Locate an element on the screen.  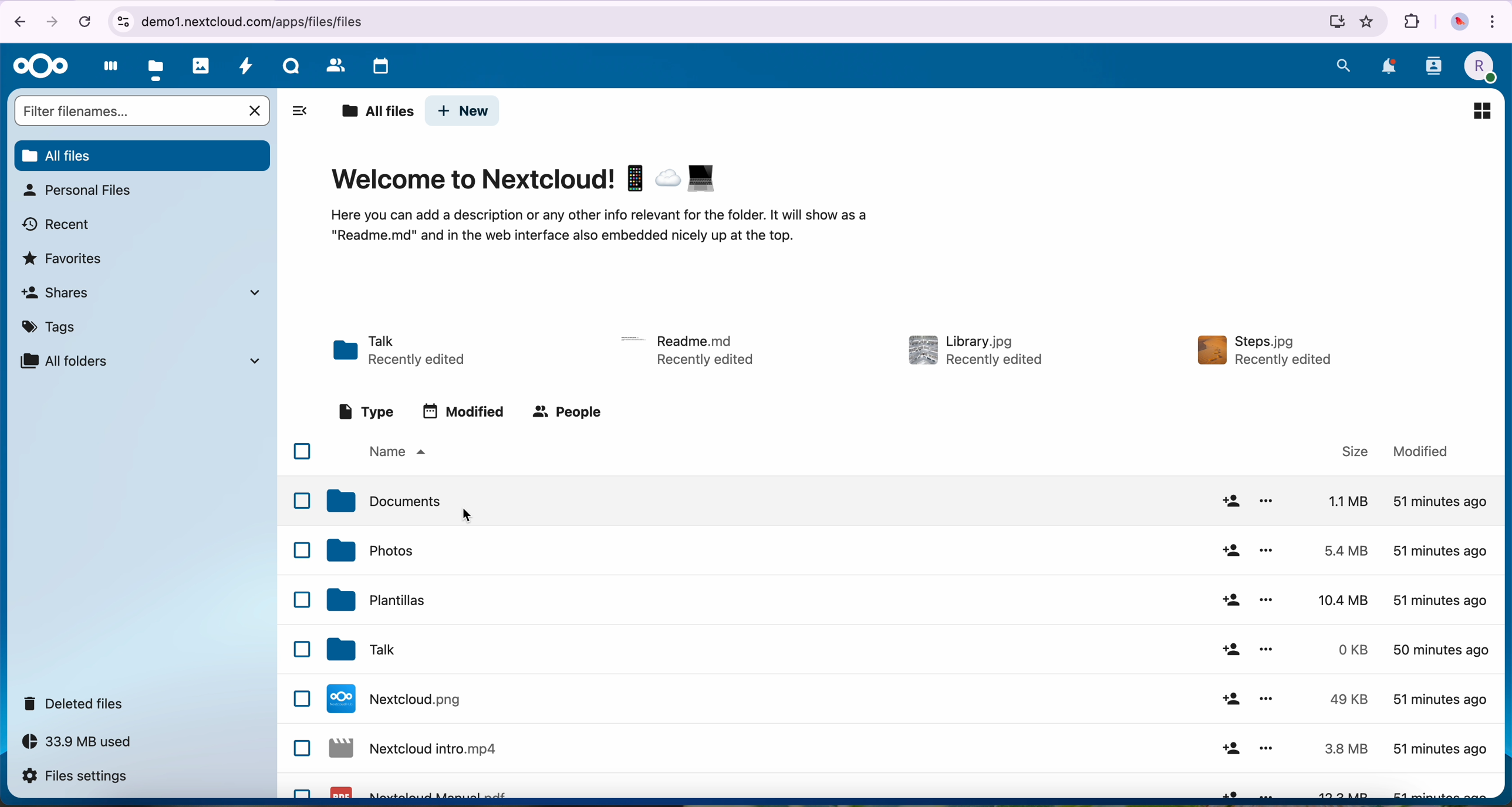
add is located at coordinates (1231, 748).